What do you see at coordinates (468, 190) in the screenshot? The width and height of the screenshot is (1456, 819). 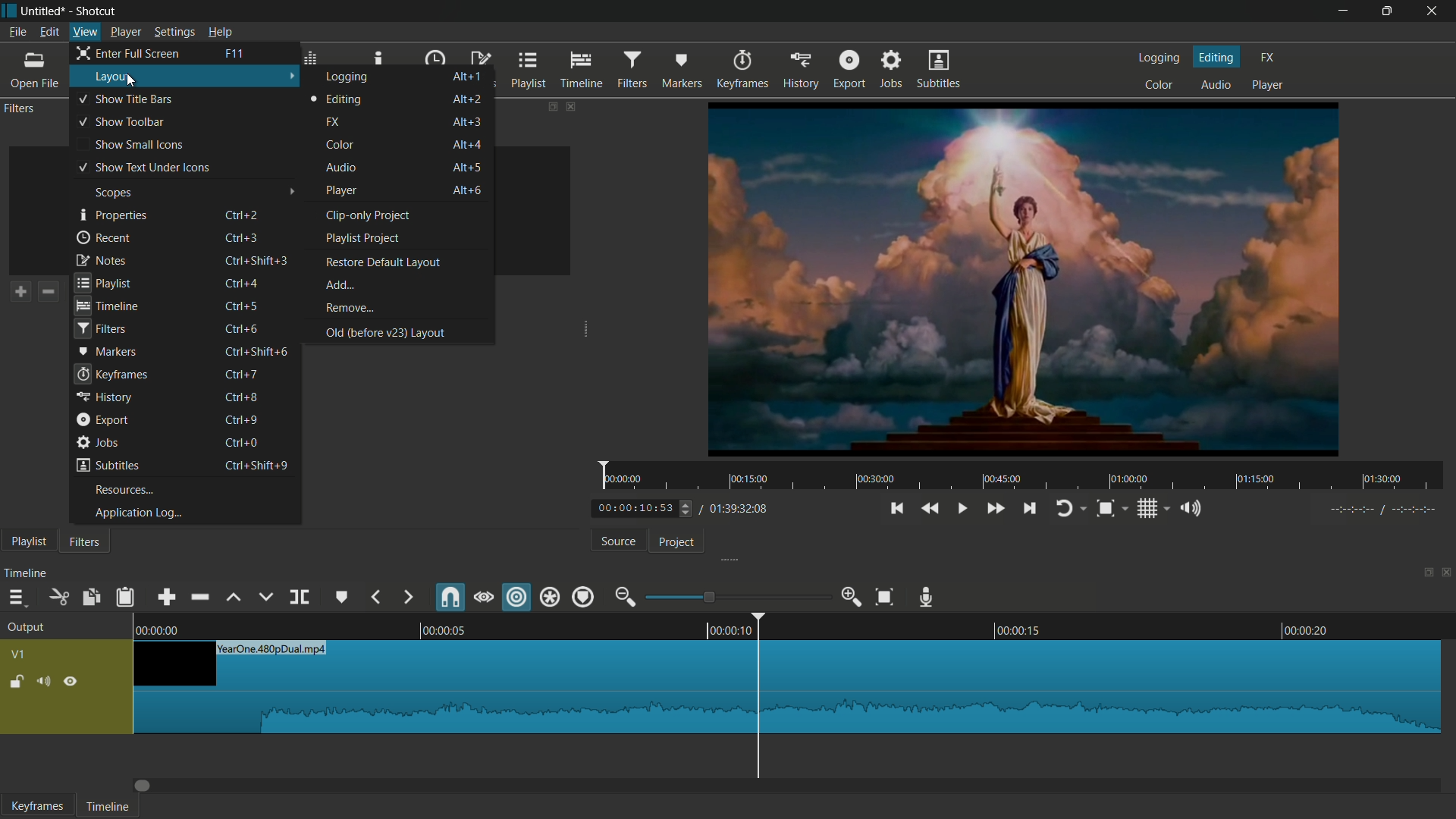 I see `keyboard shortcut` at bounding box center [468, 190].